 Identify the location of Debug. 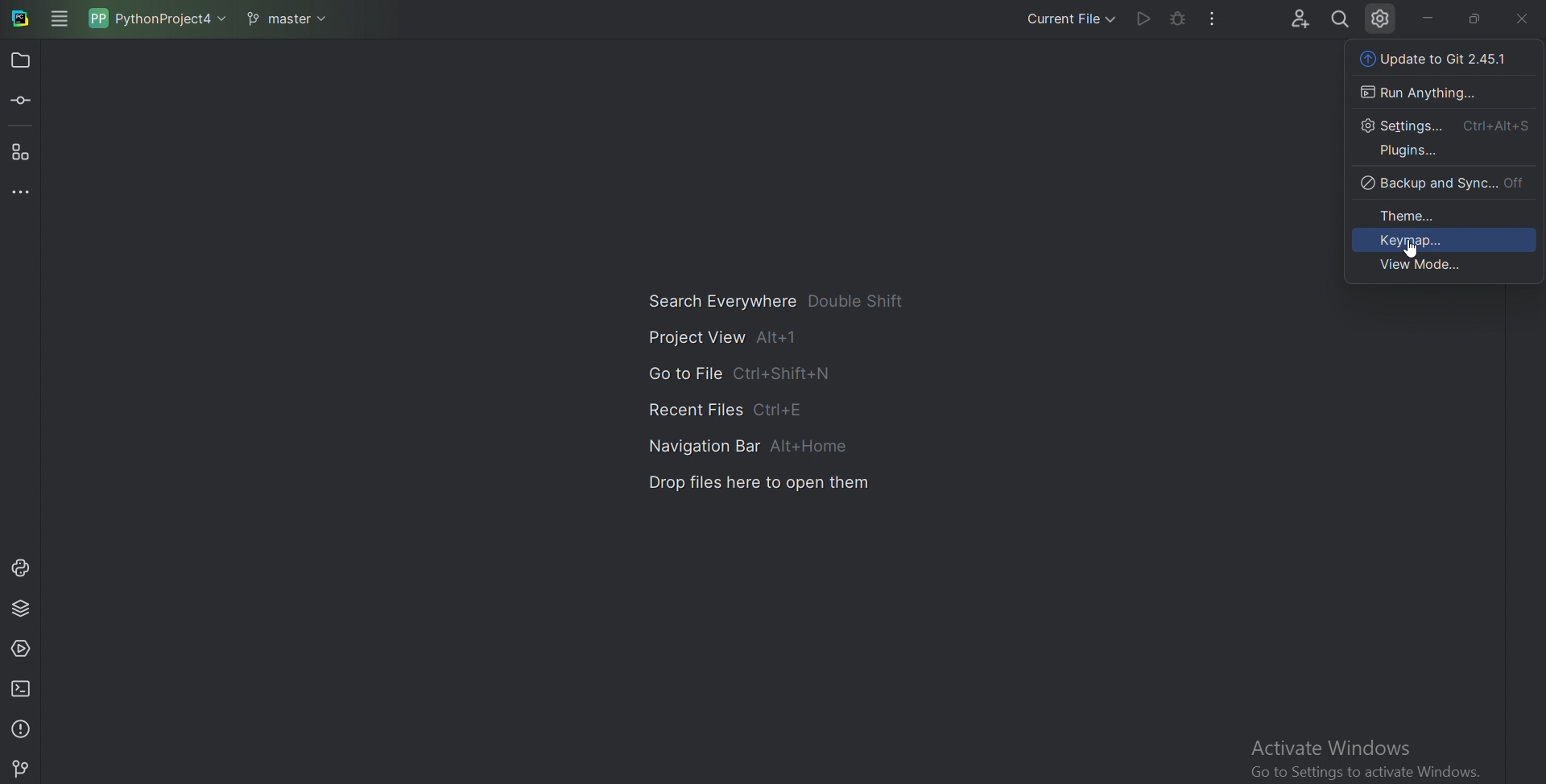
(1178, 18).